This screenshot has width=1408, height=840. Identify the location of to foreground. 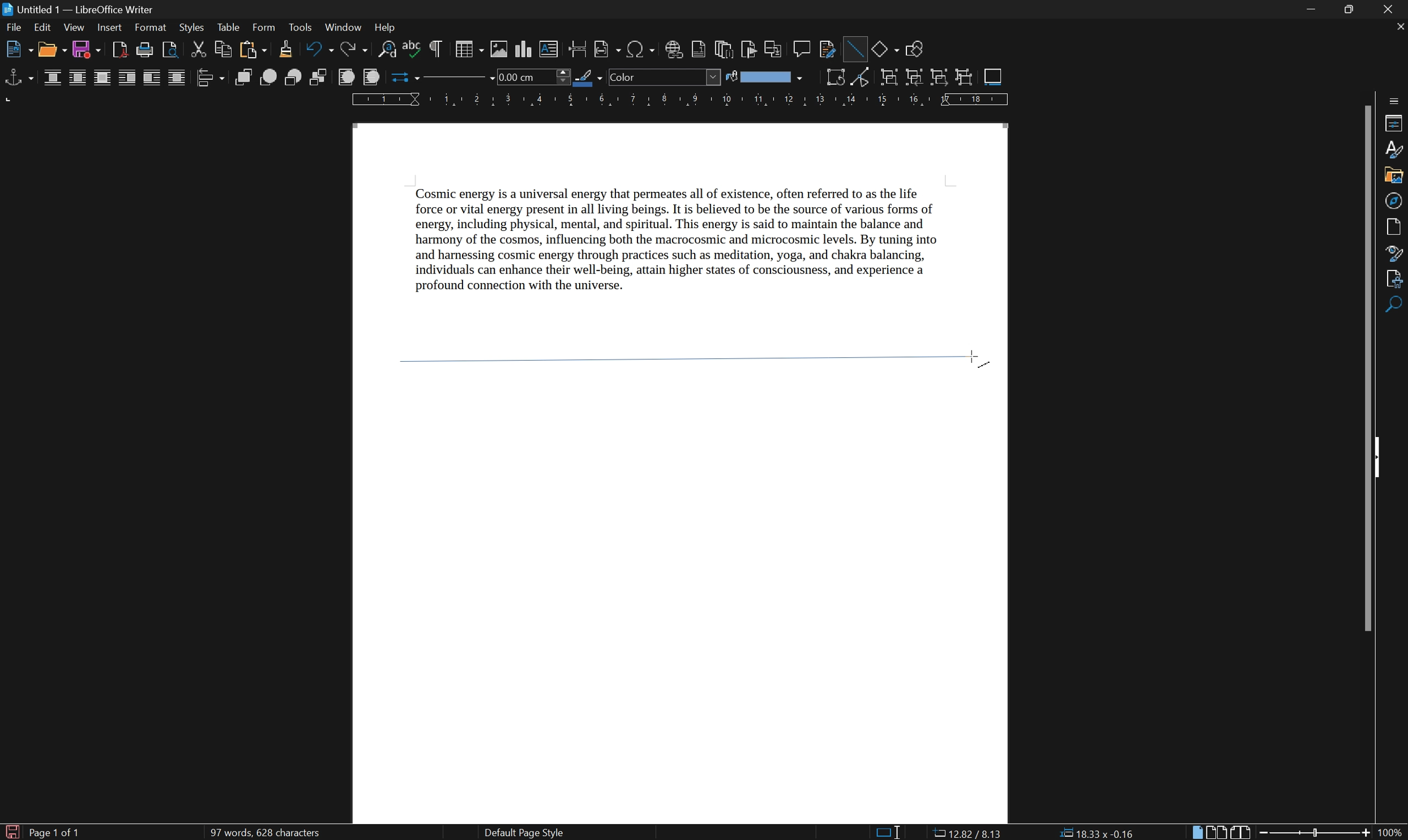
(347, 76).